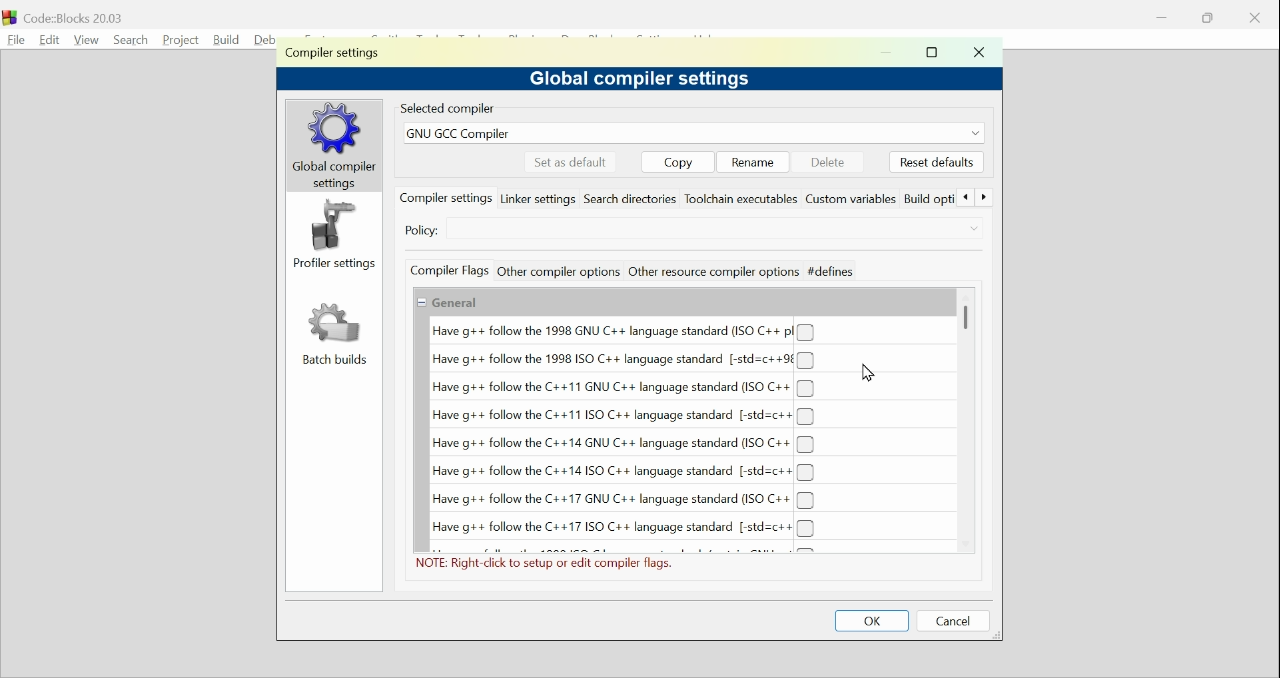 The image size is (1280, 678). Describe the element at coordinates (977, 53) in the screenshot. I see `Close` at that location.